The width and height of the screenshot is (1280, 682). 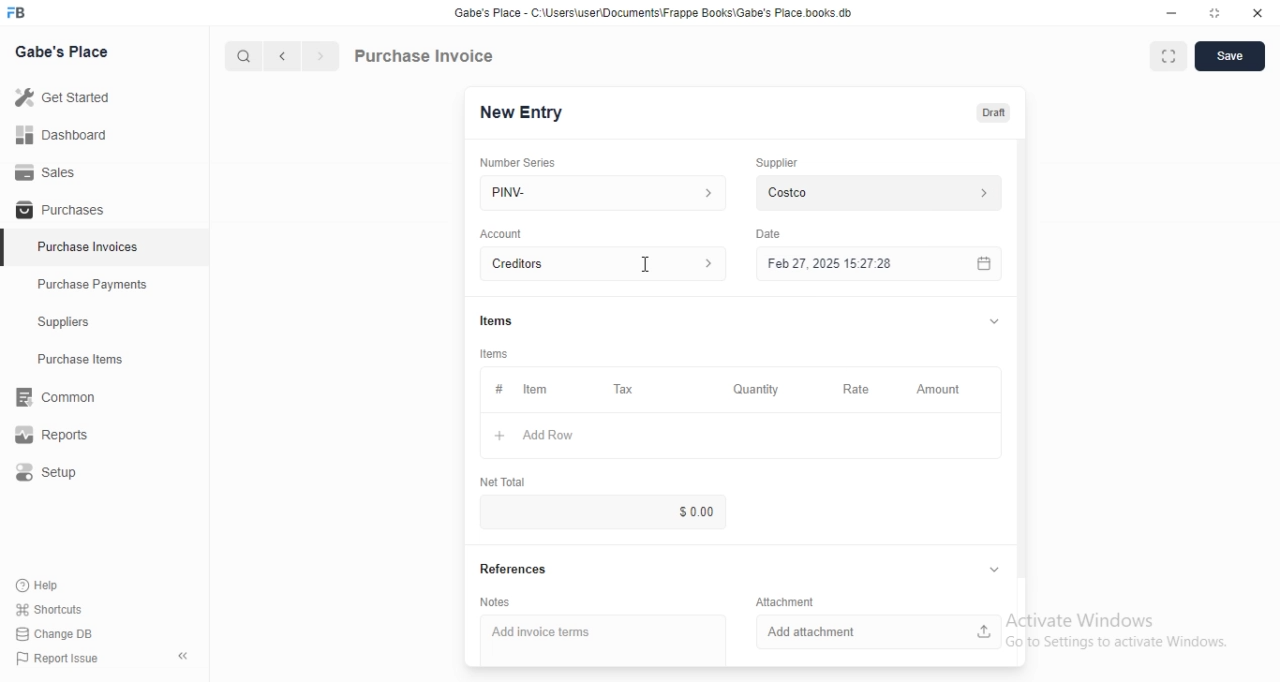 I want to click on Help, so click(x=49, y=586).